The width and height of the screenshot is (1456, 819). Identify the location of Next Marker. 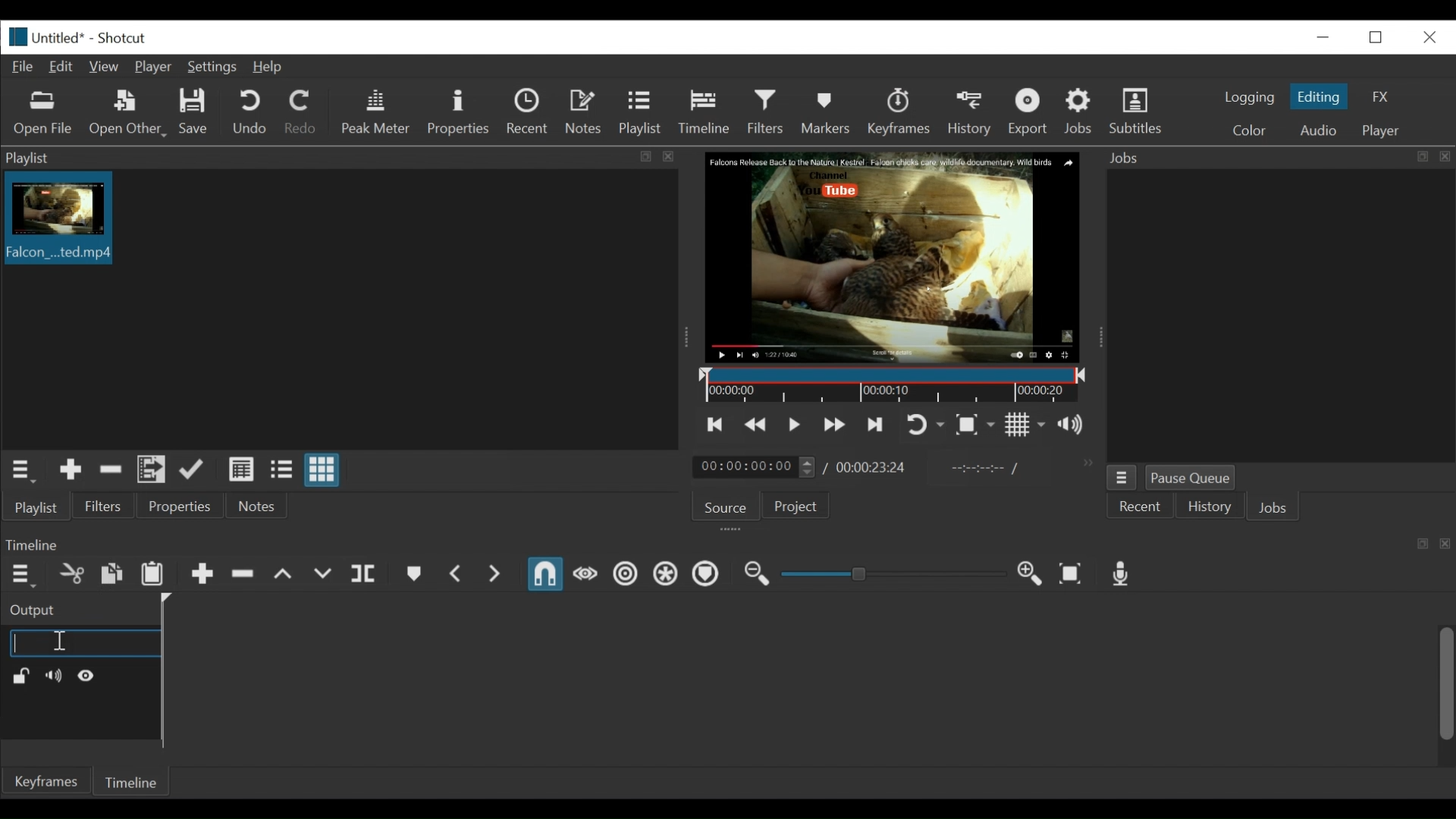
(495, 575).